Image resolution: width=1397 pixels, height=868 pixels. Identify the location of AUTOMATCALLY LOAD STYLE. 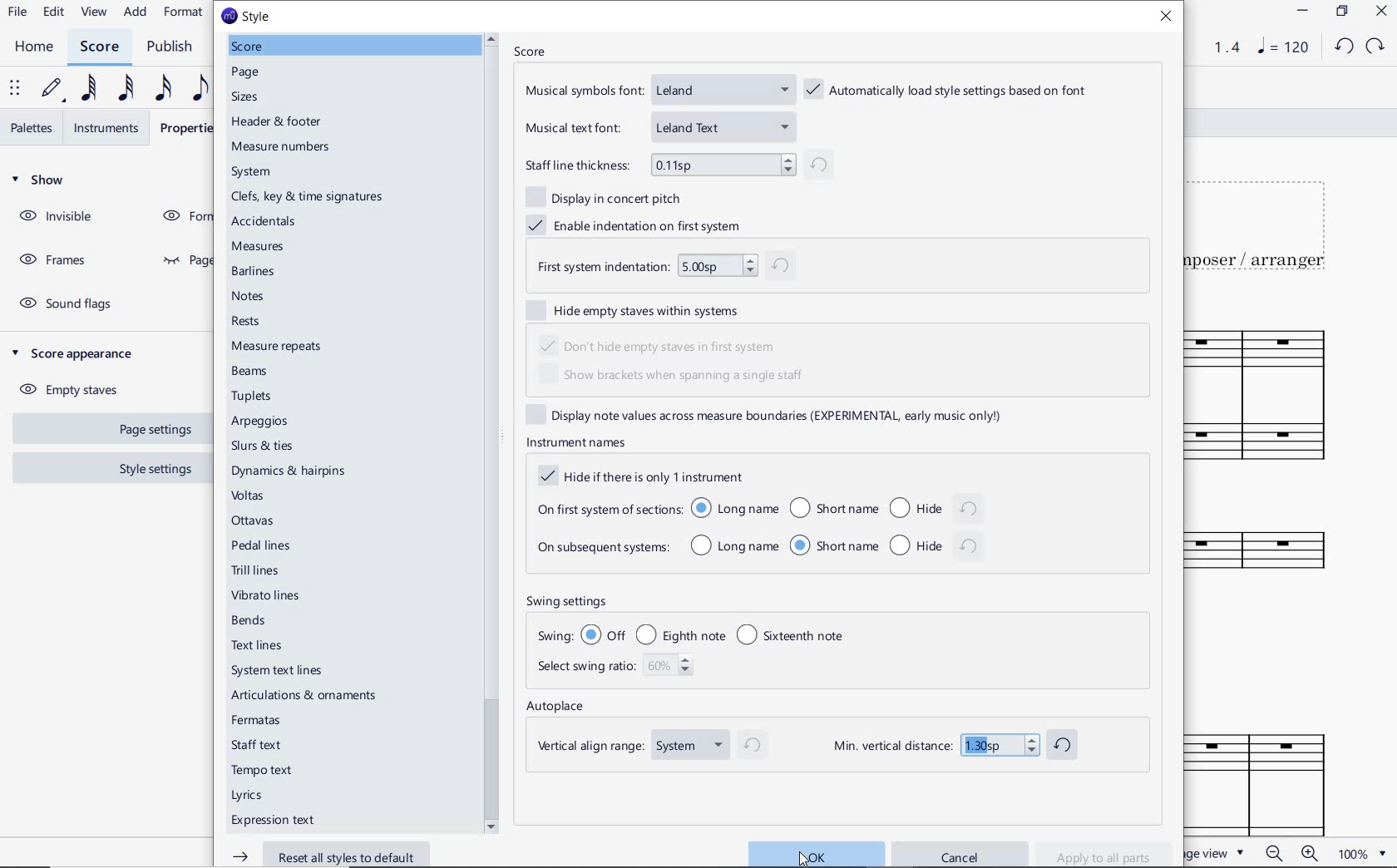
(950, 91).